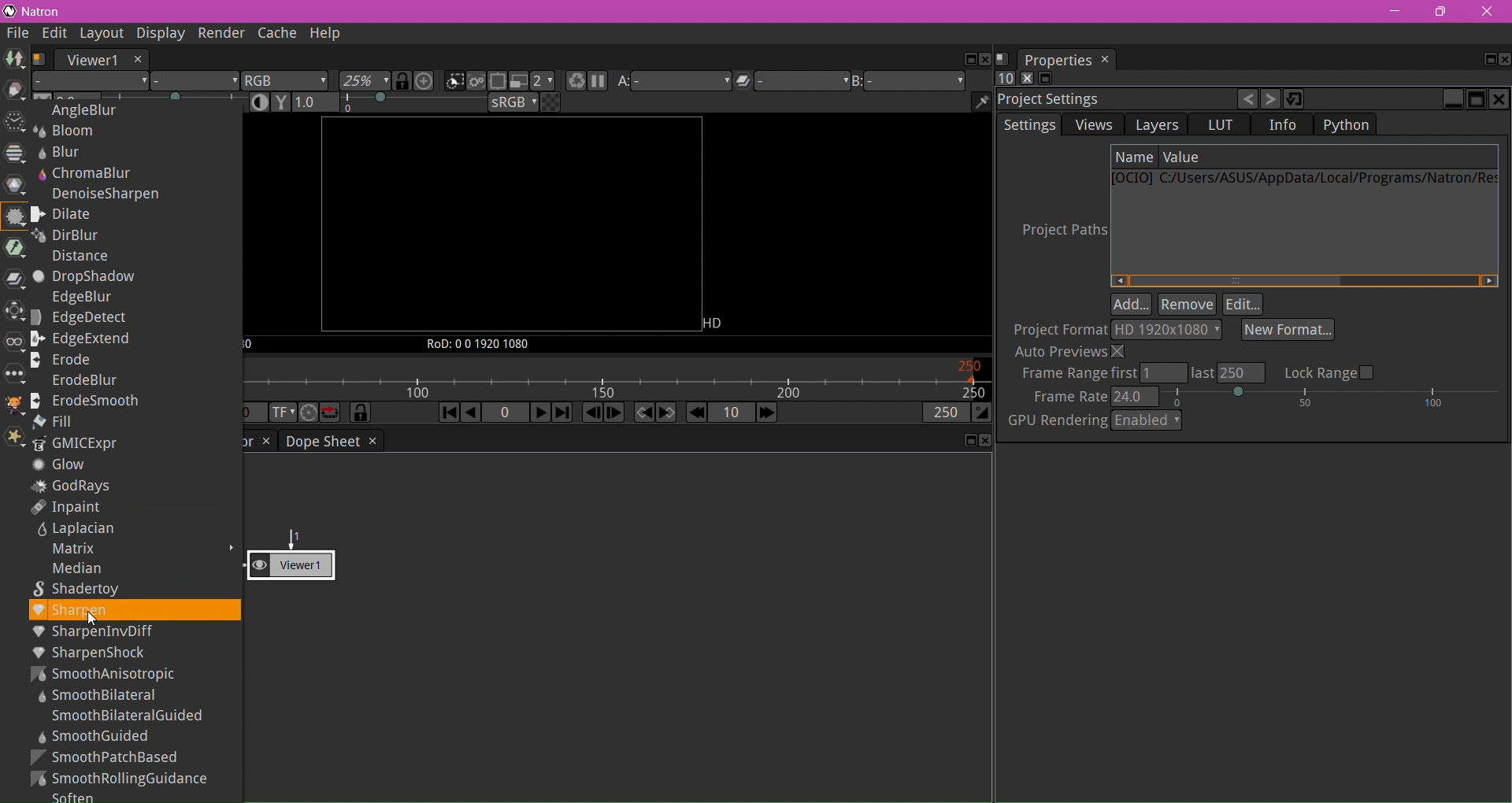 The width and height of the screenshot is (1512, 803). What do you see at coordinates (13, 281) in the screenshot?
I see `Merge` at bounding box center [13, 281].